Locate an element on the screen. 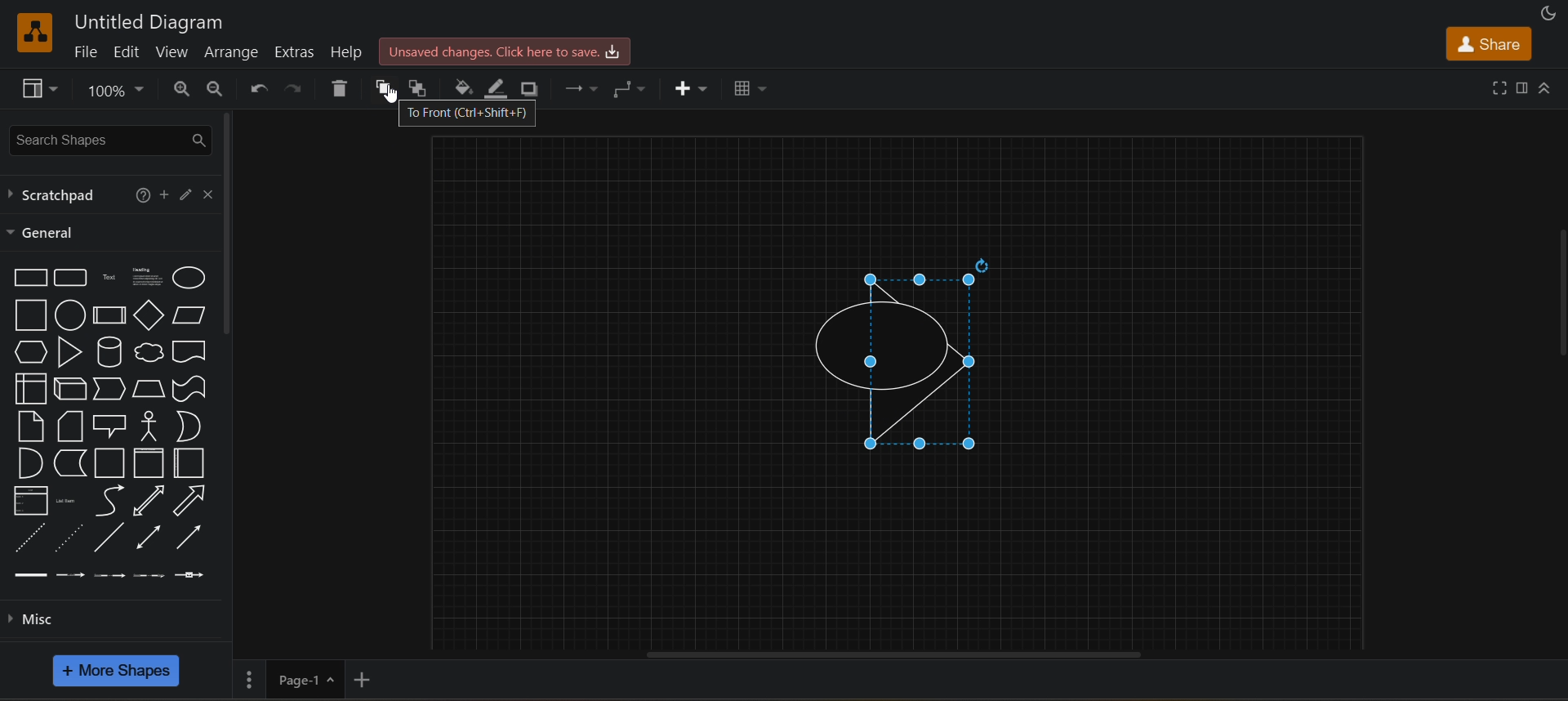 The height and width of the screenshot is (701, 1568). zoom out is located at coordinates (214, 86).